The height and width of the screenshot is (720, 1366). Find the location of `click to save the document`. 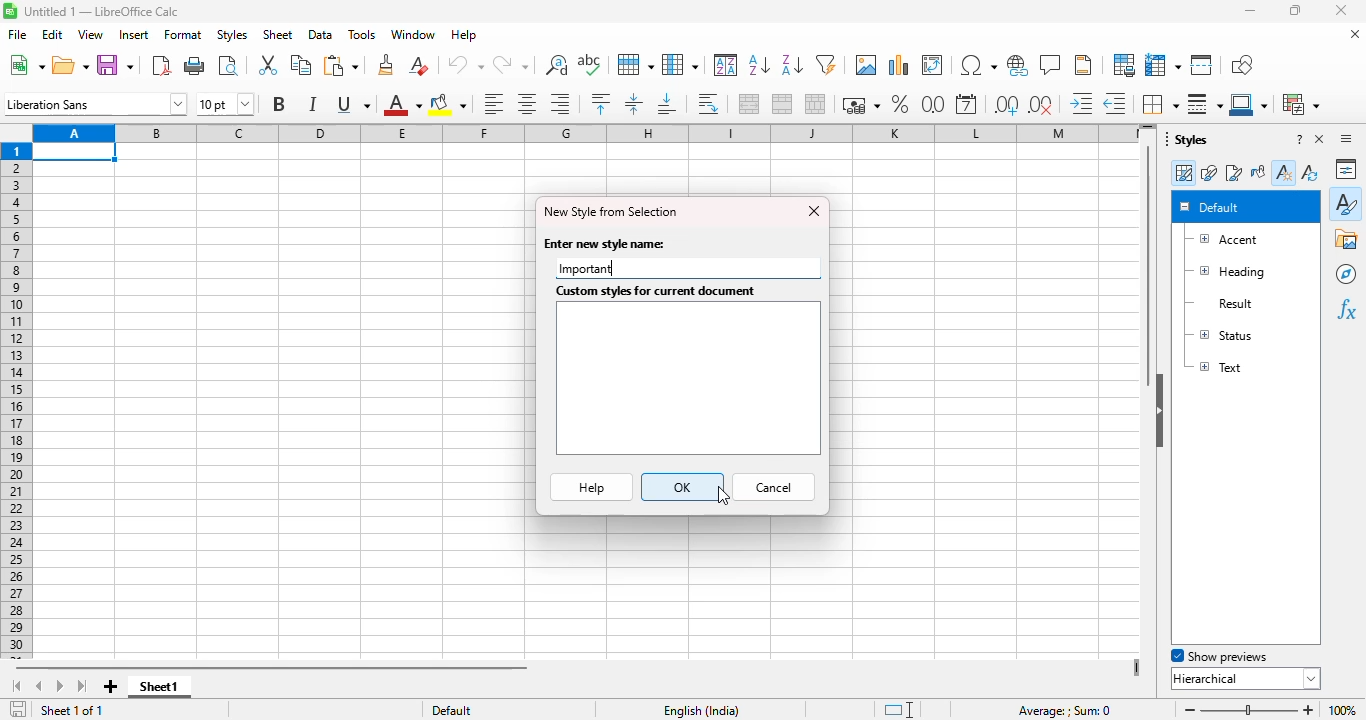

click to save the document is located at coordinates (18, 709).